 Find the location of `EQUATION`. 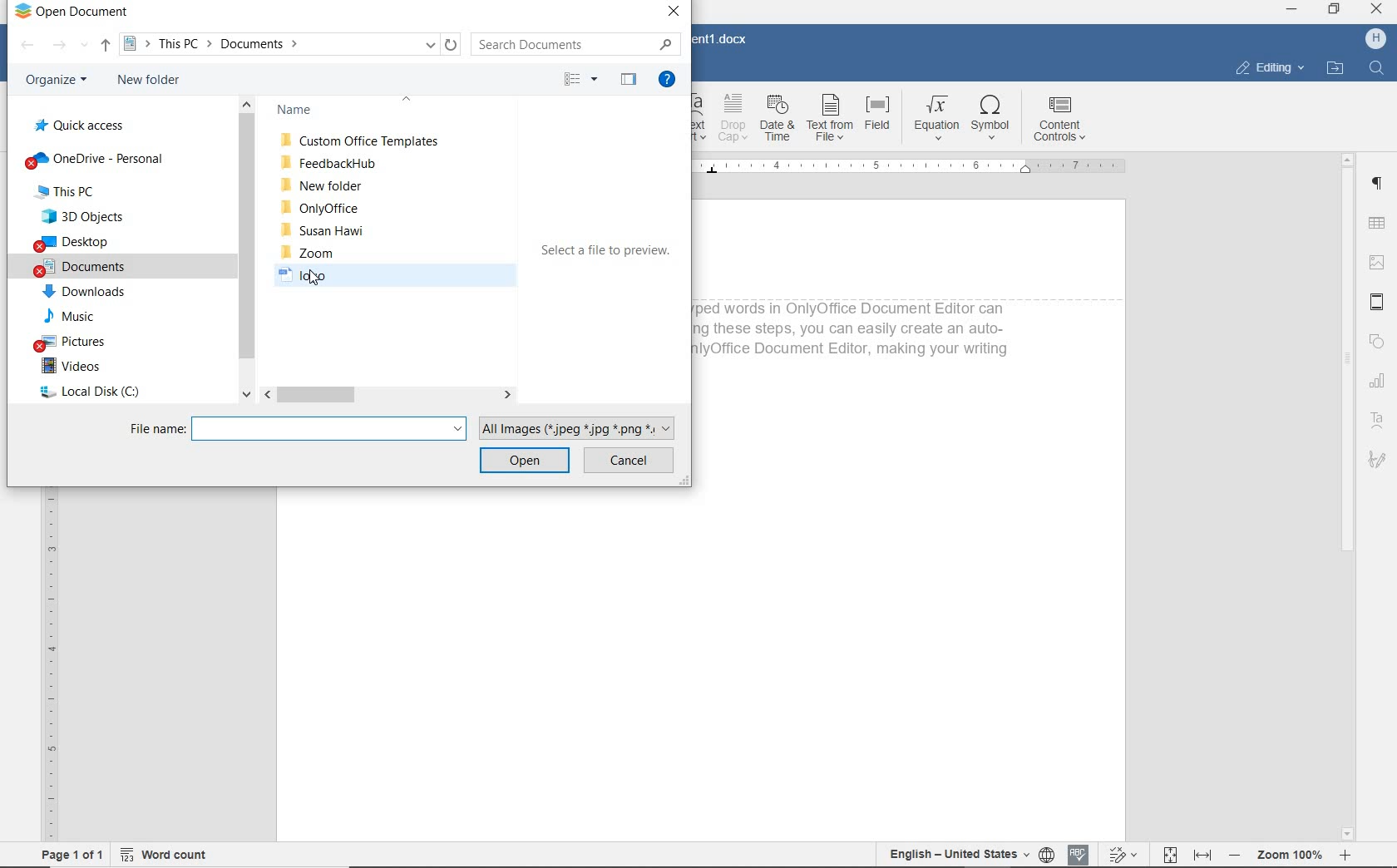

EQUATION is located at coordinates (933, 121).